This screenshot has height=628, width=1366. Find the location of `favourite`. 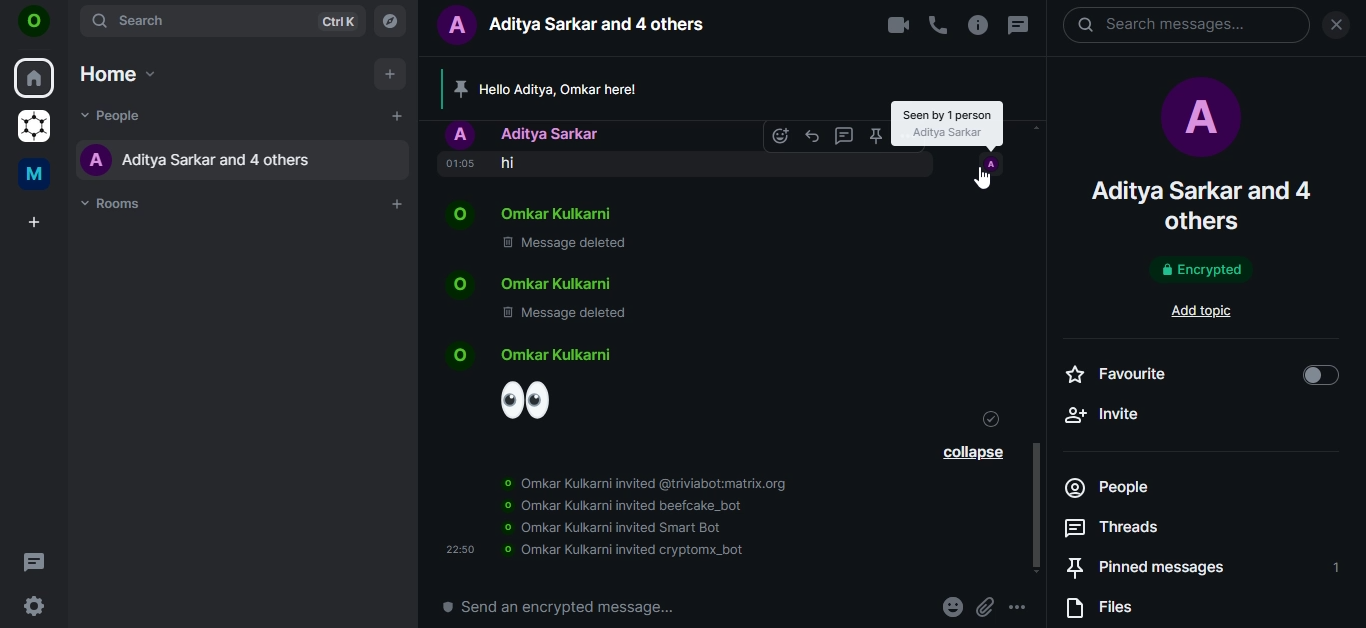

favourite is located at coordinates (1198, 374).